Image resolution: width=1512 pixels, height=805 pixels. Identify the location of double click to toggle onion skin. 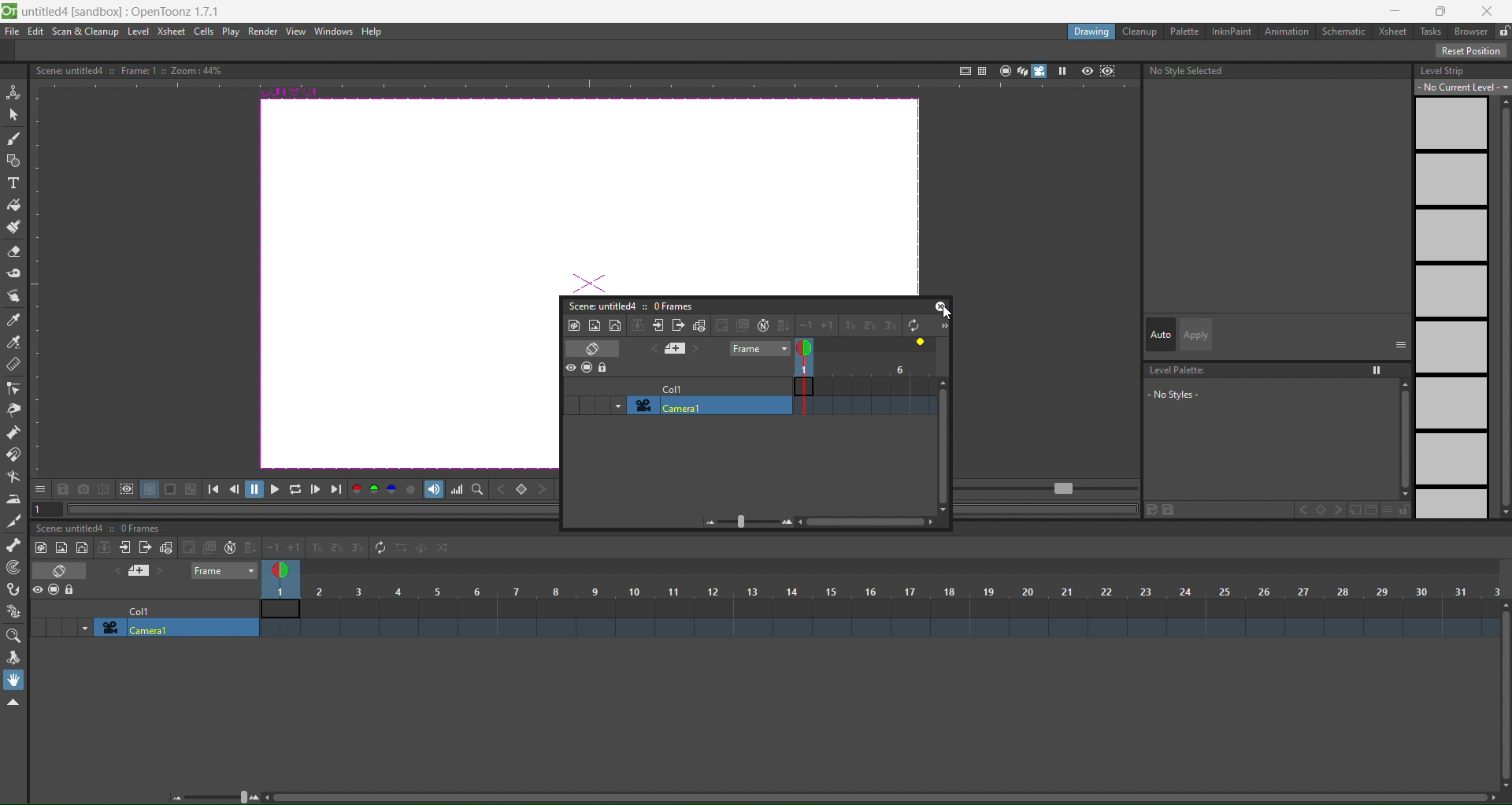
(286, 568).